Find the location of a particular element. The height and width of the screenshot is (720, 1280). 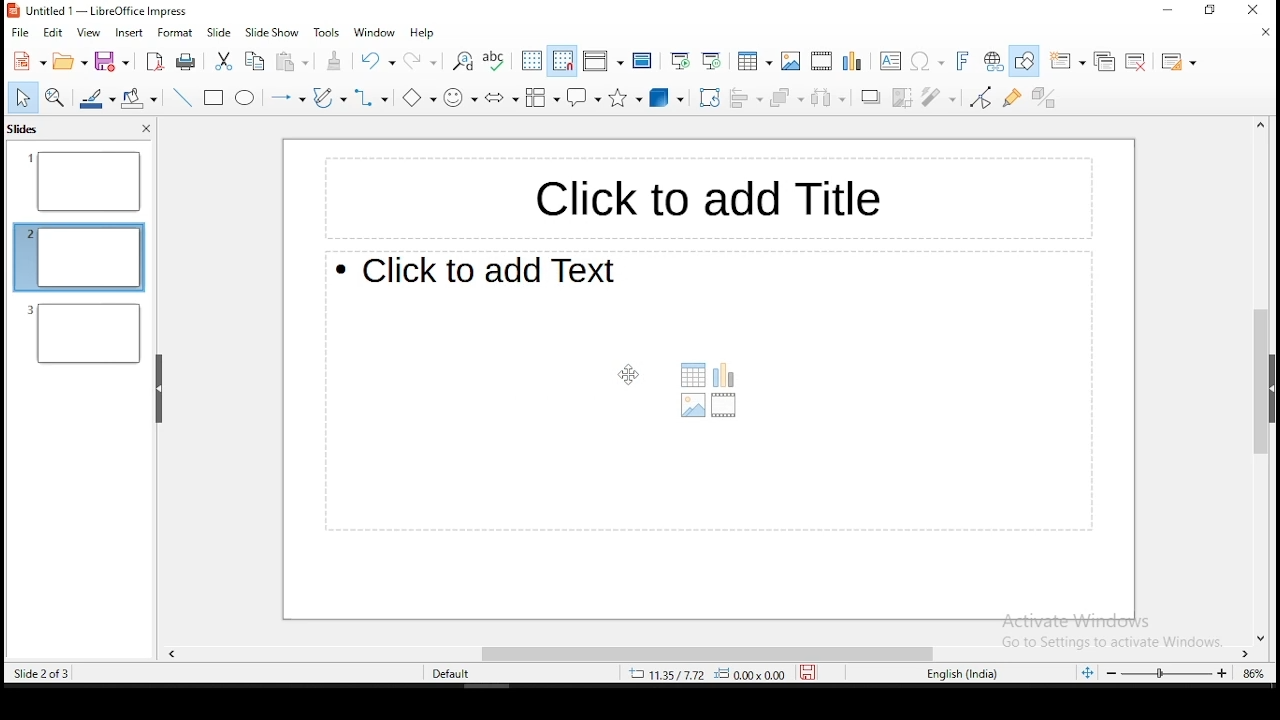

text box is located at coordinates (888, 61).